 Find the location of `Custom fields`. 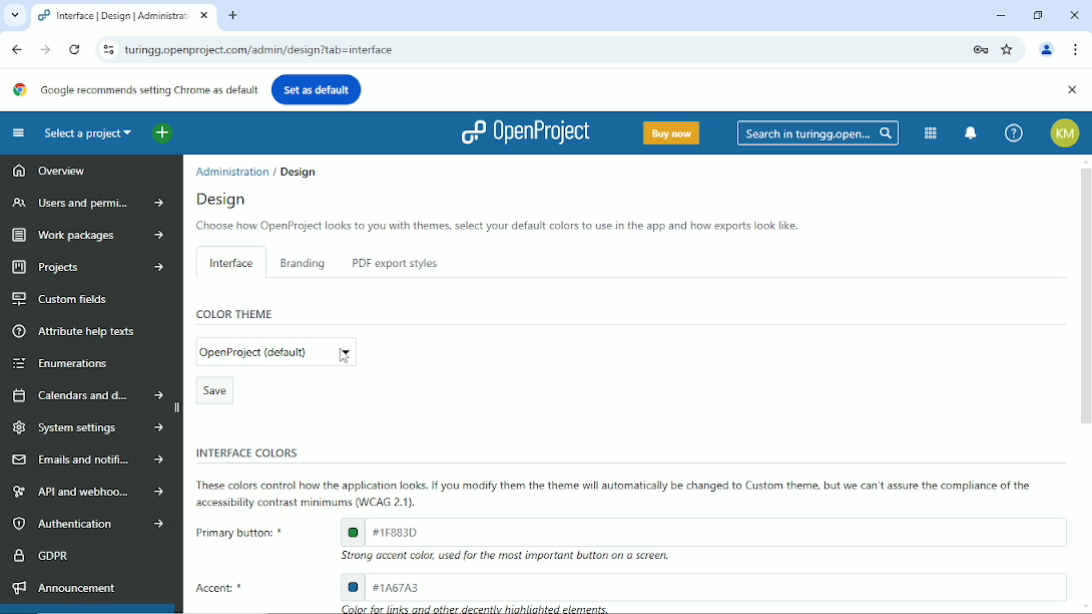

Custom fields is located at coordinates (62, 299).